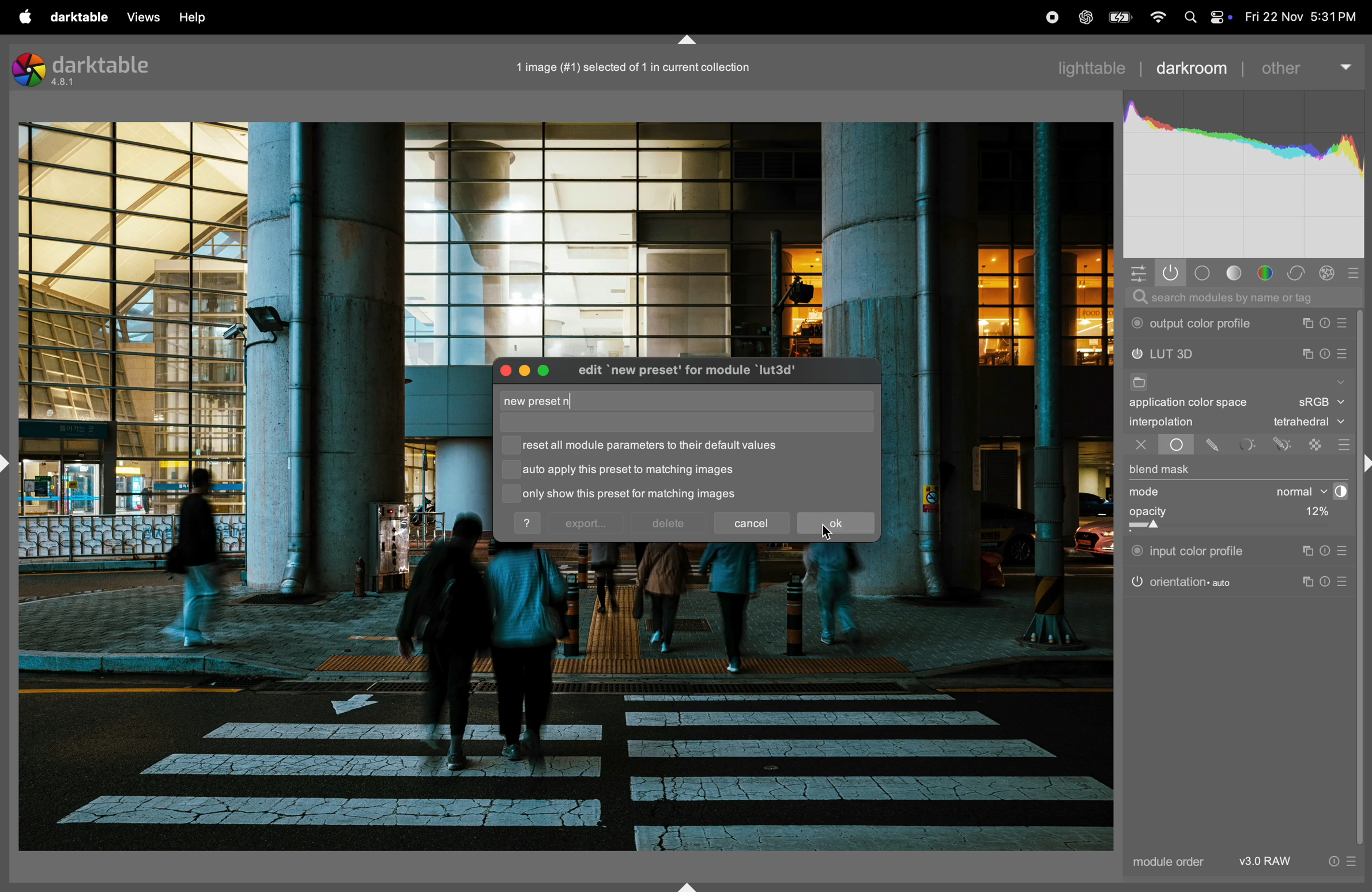 Image resolution: width=1372 pixels, height=892 pixels. What do you see at coordinates (586, 524) in the screenshot?
I see `export` at bounding box center [586, 524].